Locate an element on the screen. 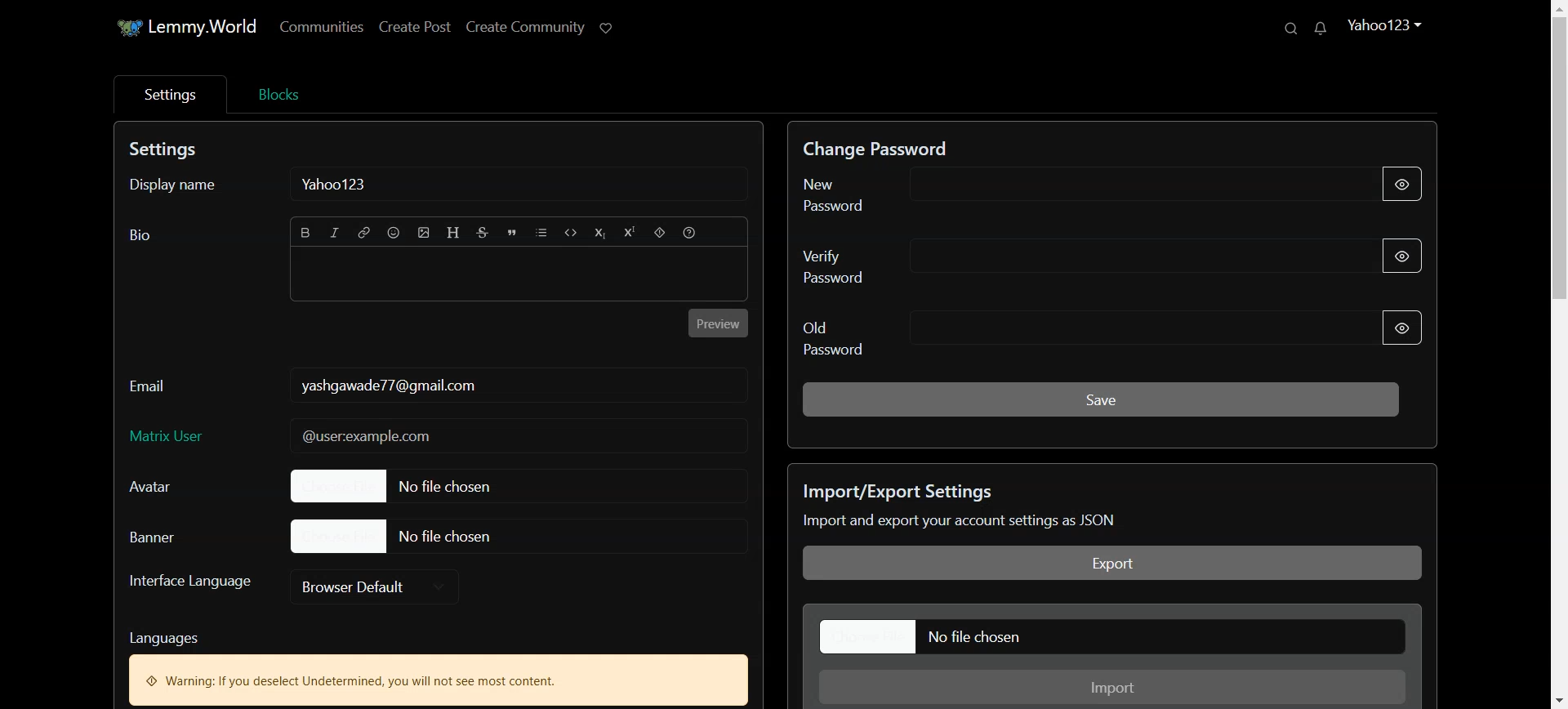  Old Password is located at coordinates (1056, 336).